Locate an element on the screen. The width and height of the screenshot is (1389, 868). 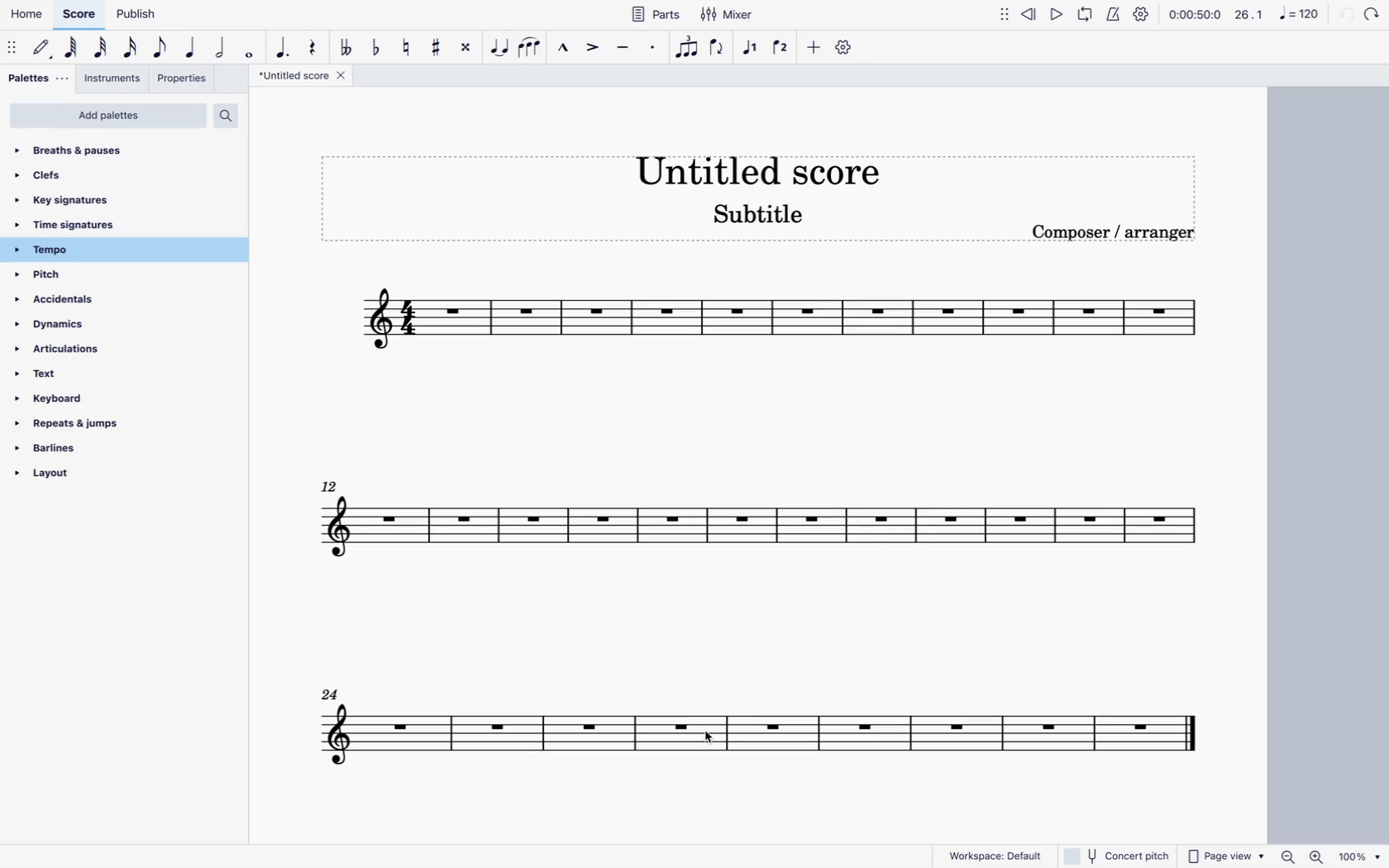
composer / arranger is located at coordinates (1119, 230).